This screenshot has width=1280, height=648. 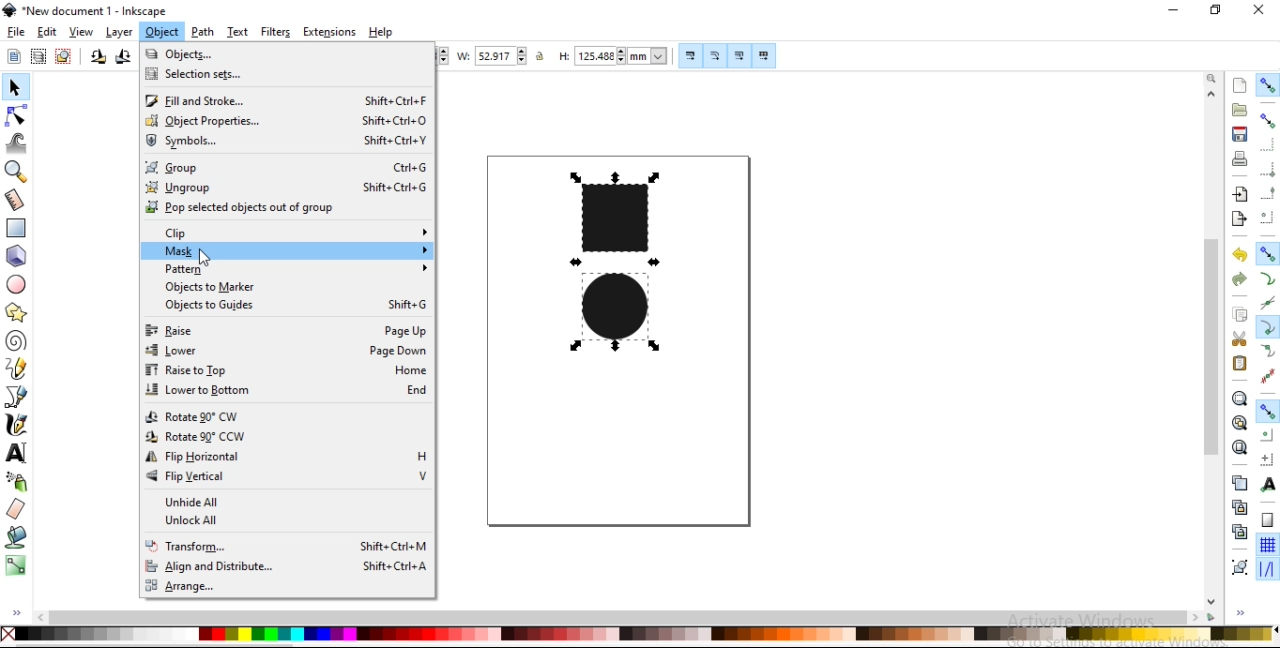 What do you see at coordinates (287, 544) in the screenshot?
I see `transform` at bounding box center [287, 544].